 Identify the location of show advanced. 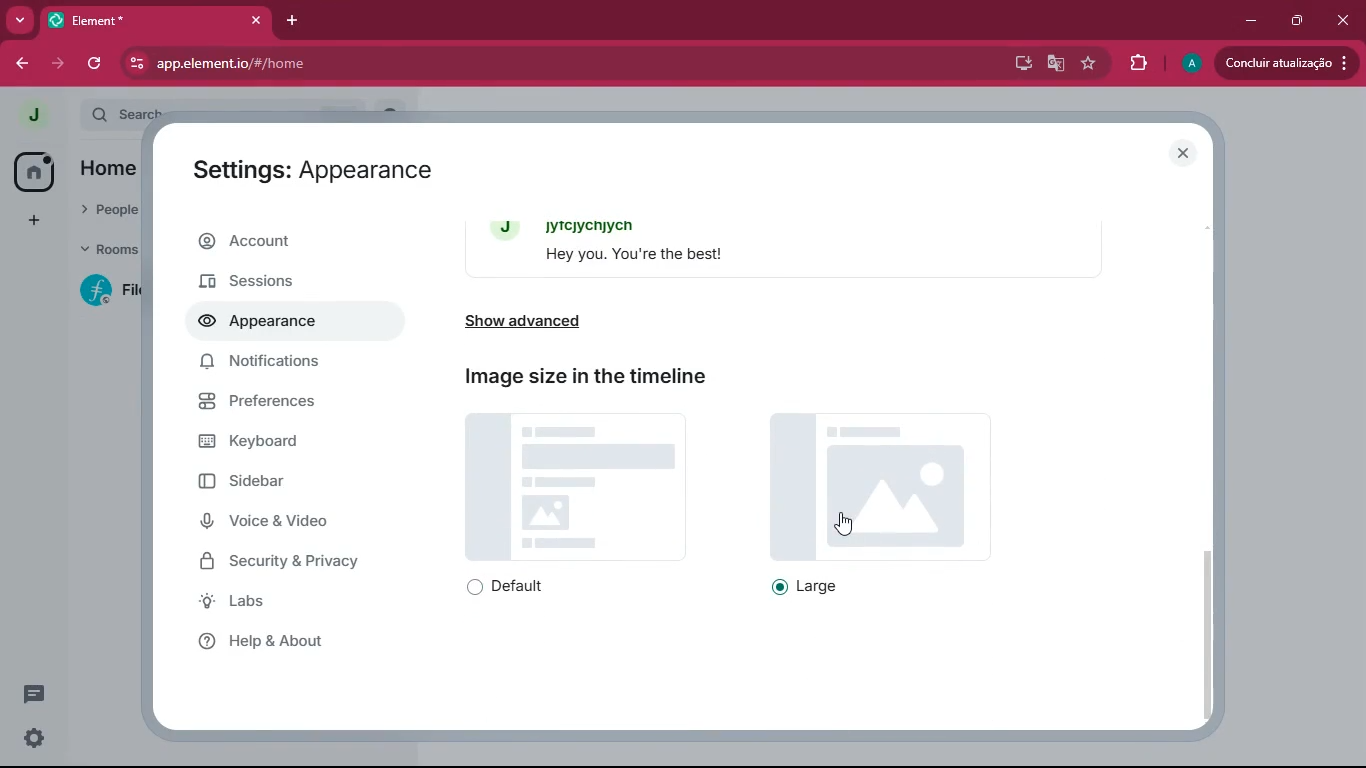
(560, 321).